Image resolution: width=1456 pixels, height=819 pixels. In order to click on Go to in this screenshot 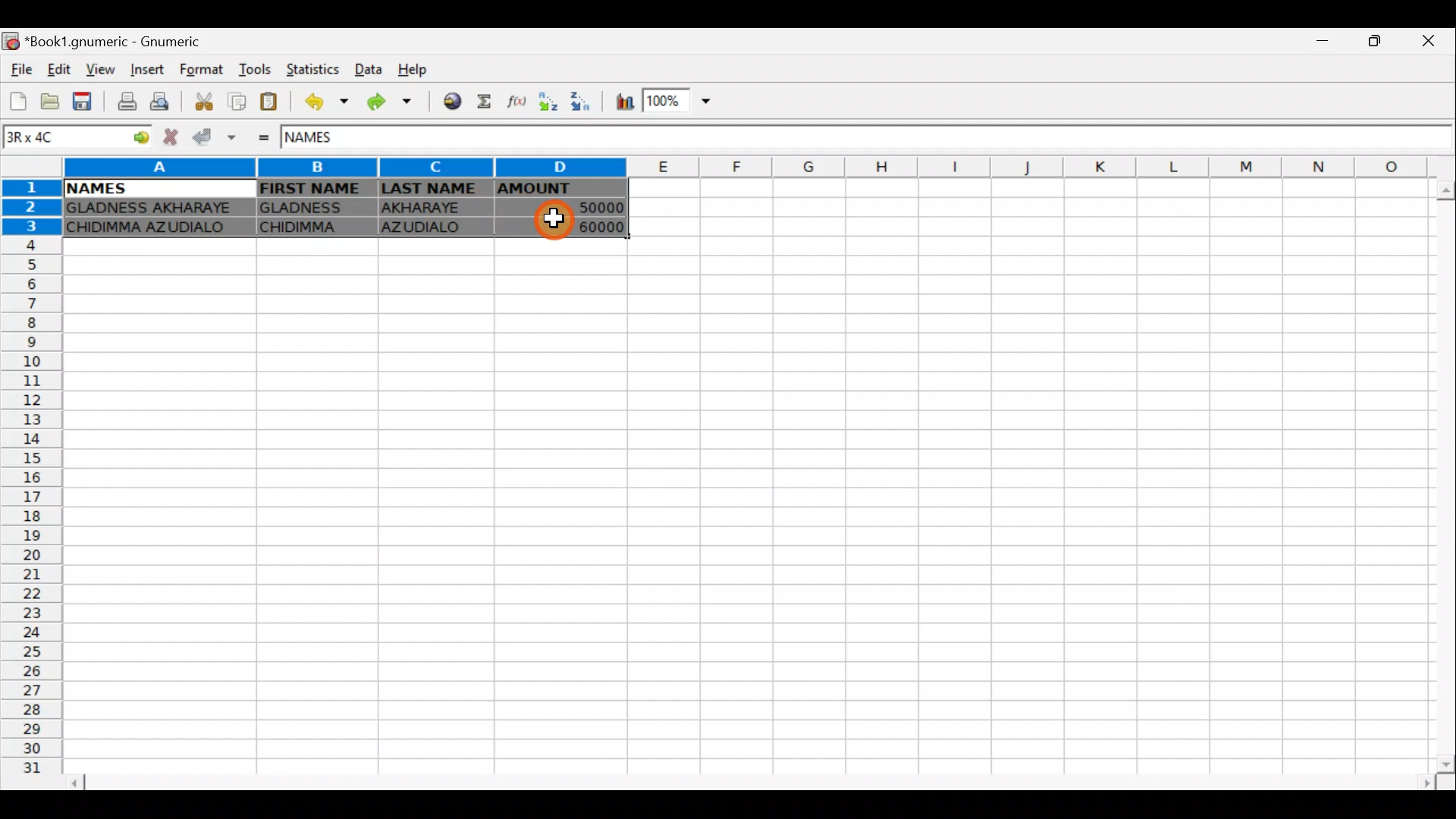, I will do `click(136, 139)`.